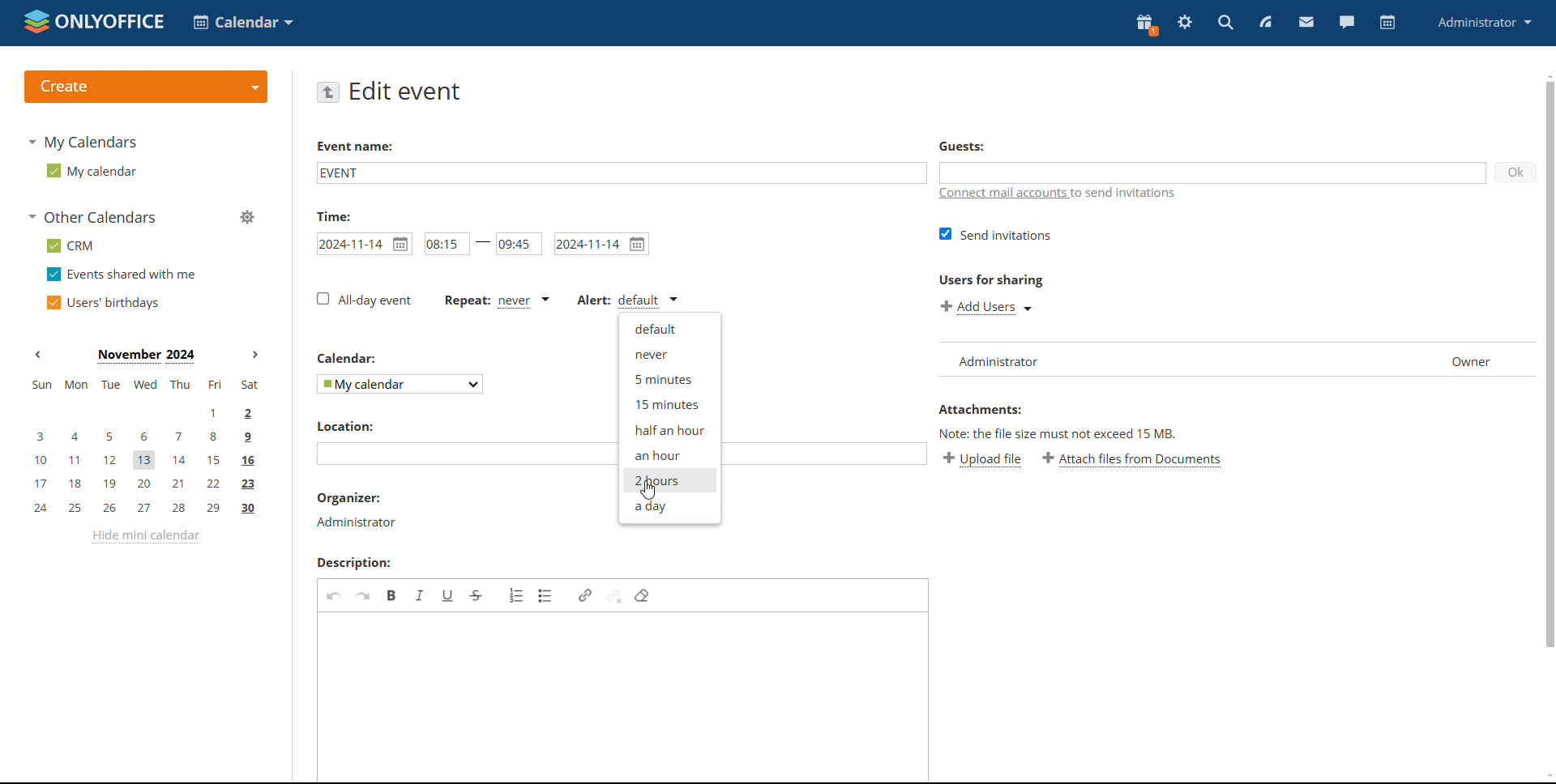 The image size is (1556, 784). I want to click on alert type, so click(626, 300).